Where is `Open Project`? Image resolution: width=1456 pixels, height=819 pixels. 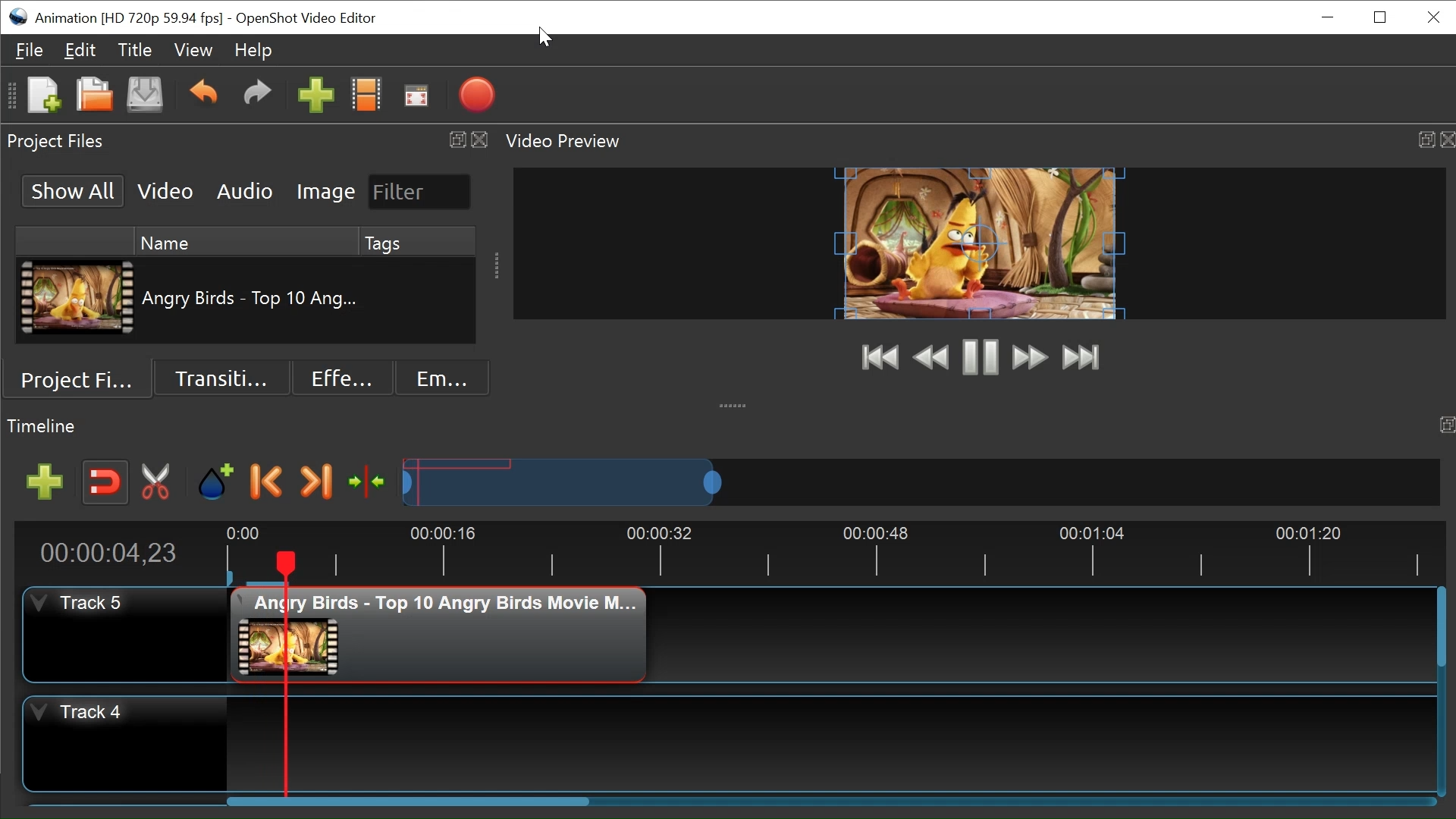
Open Project is located at coordinates (93, 95).